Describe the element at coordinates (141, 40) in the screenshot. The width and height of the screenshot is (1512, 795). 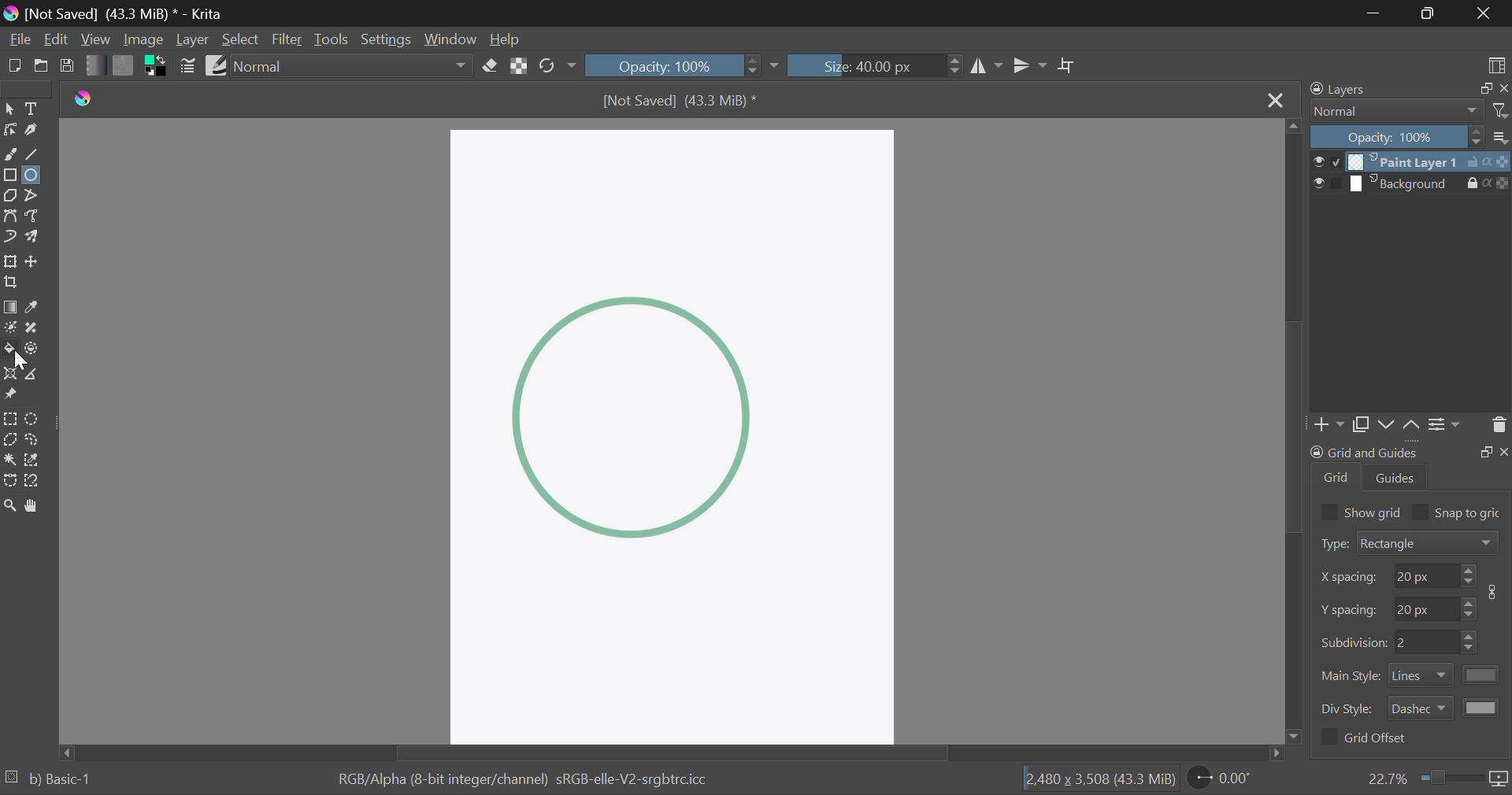
I see `Image` at that location.